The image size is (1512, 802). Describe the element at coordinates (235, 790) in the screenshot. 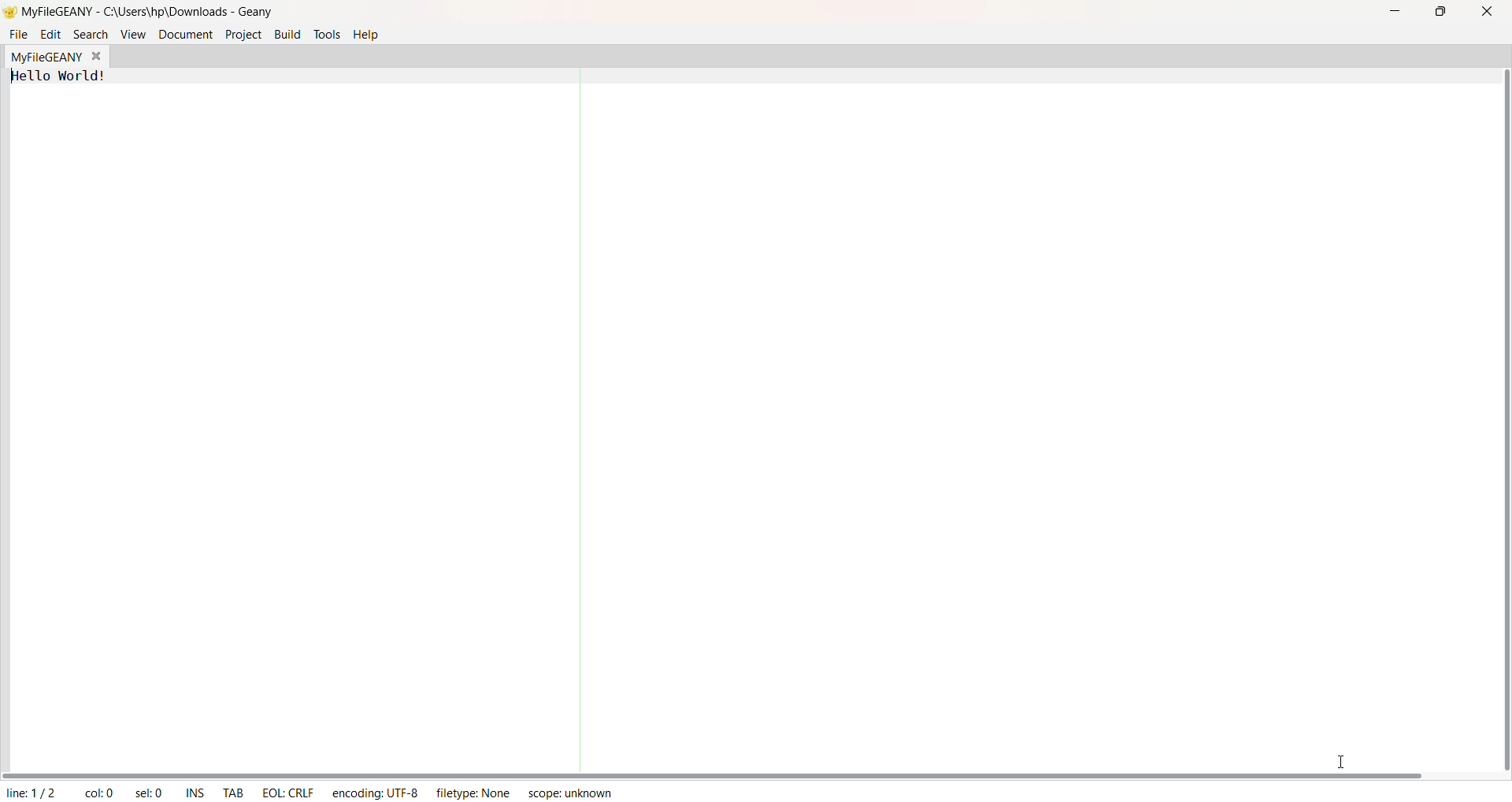

I see `TAB` at that location.